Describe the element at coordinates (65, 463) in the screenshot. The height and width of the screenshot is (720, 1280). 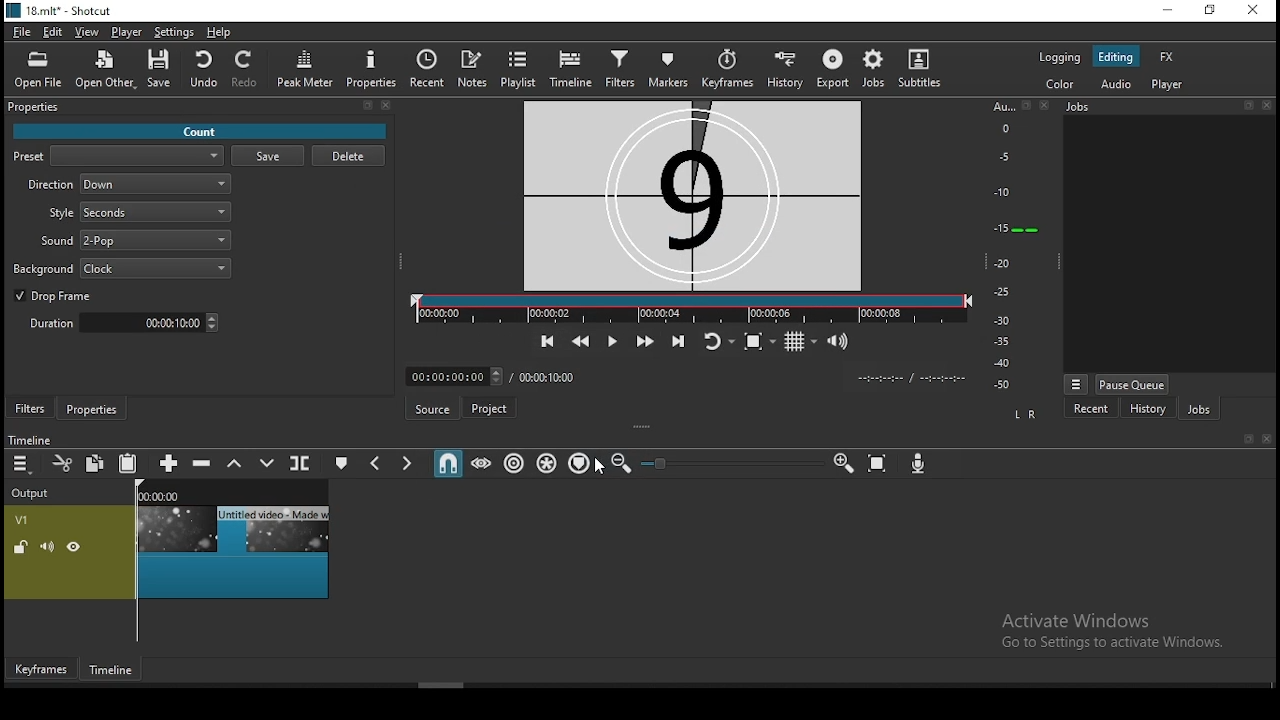
I see `cut` at that location.